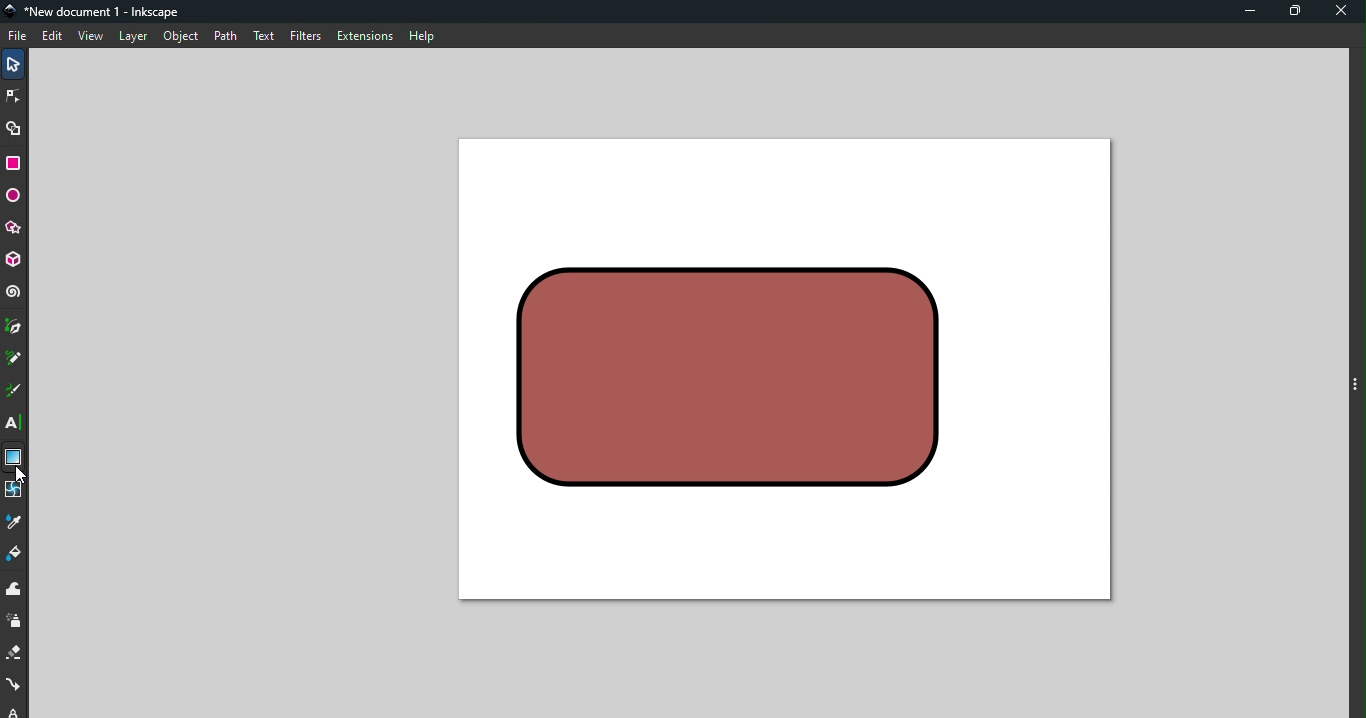  Describe the element at coordinates (14, 227) in the screenshot. I see `star/polygon tool` at that location.